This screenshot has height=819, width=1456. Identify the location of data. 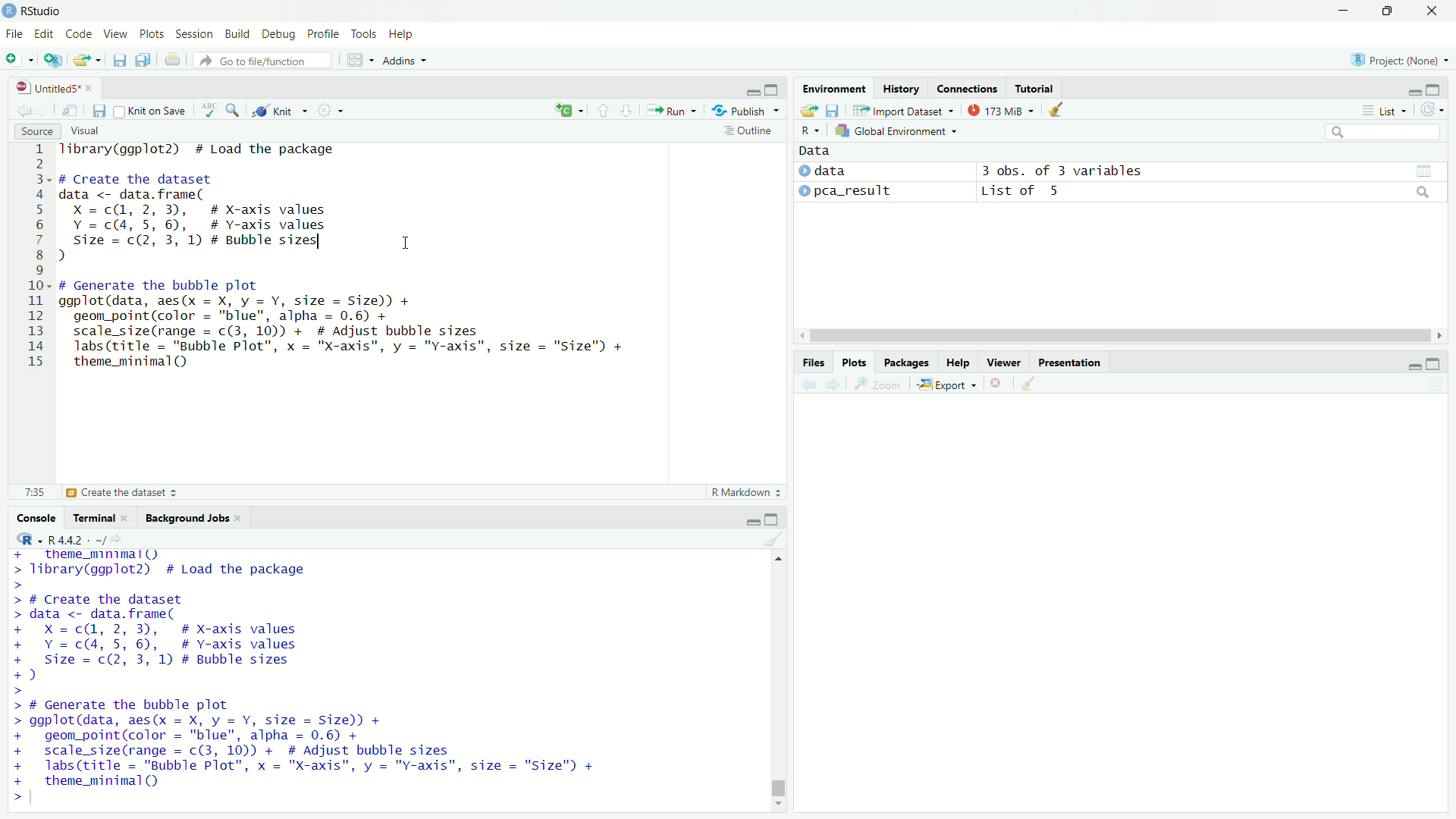
(816, 151).